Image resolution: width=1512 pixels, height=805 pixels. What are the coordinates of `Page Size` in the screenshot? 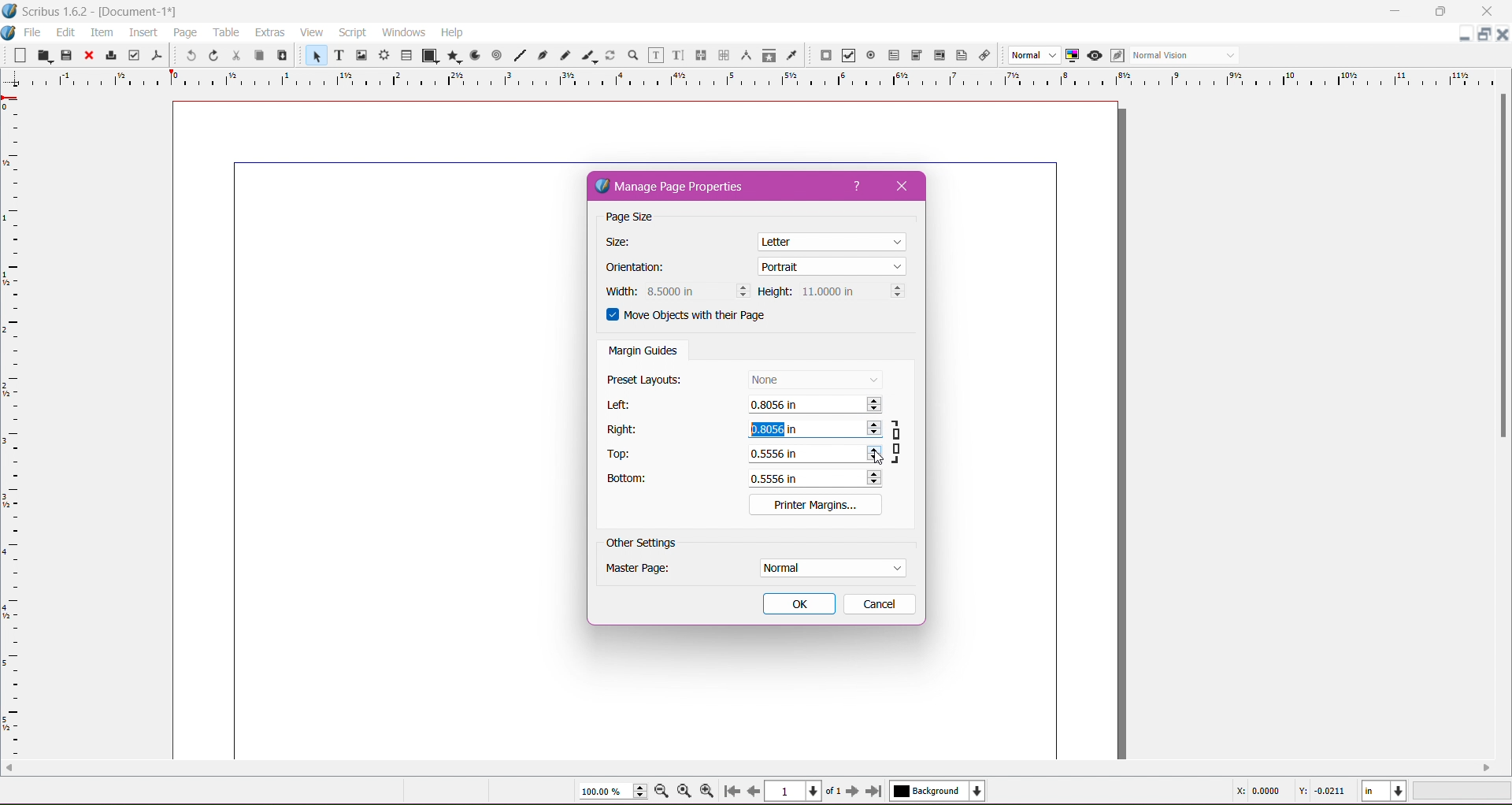 It's located at (643, 218).